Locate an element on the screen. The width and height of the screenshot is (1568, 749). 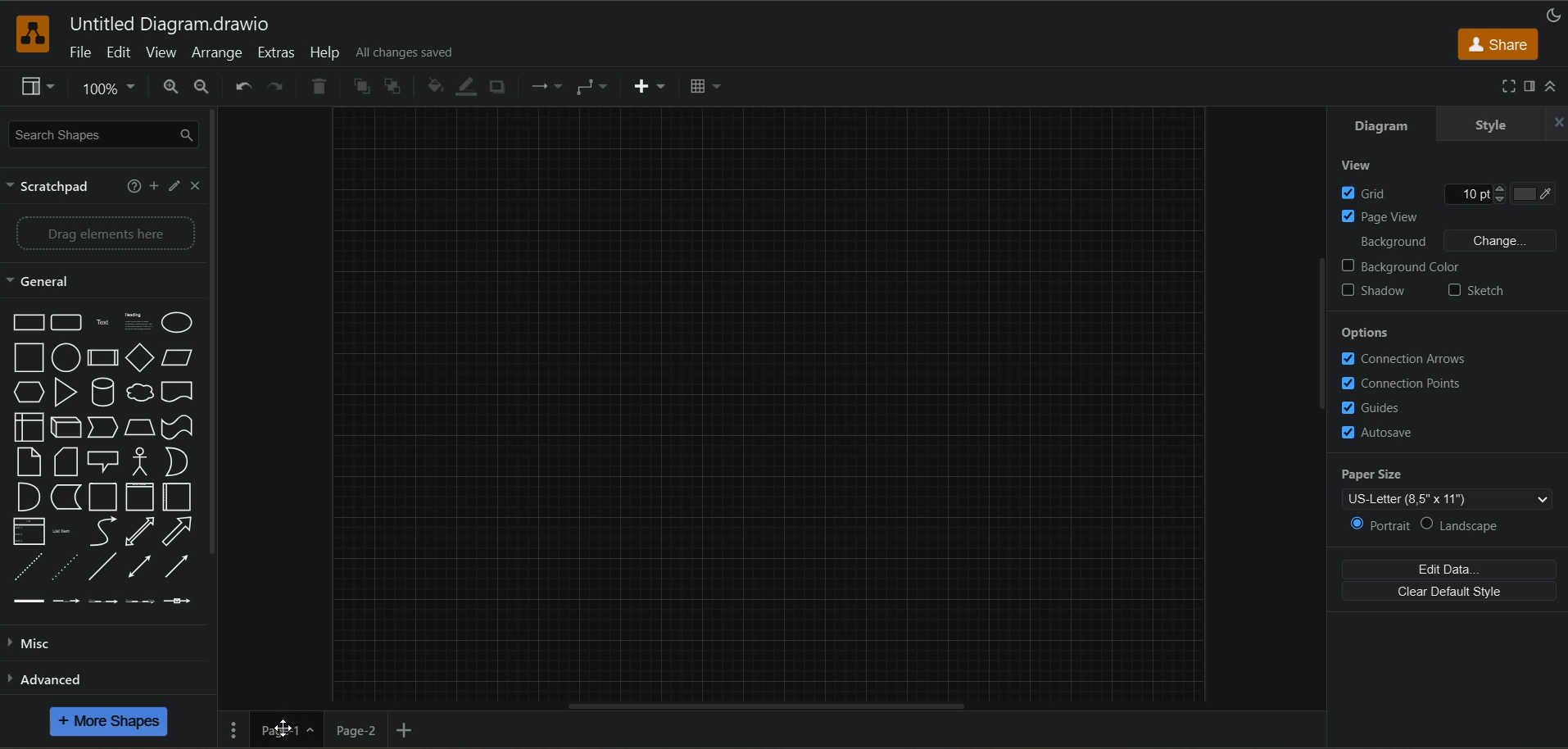
style is located at coordinates (1487, 125).